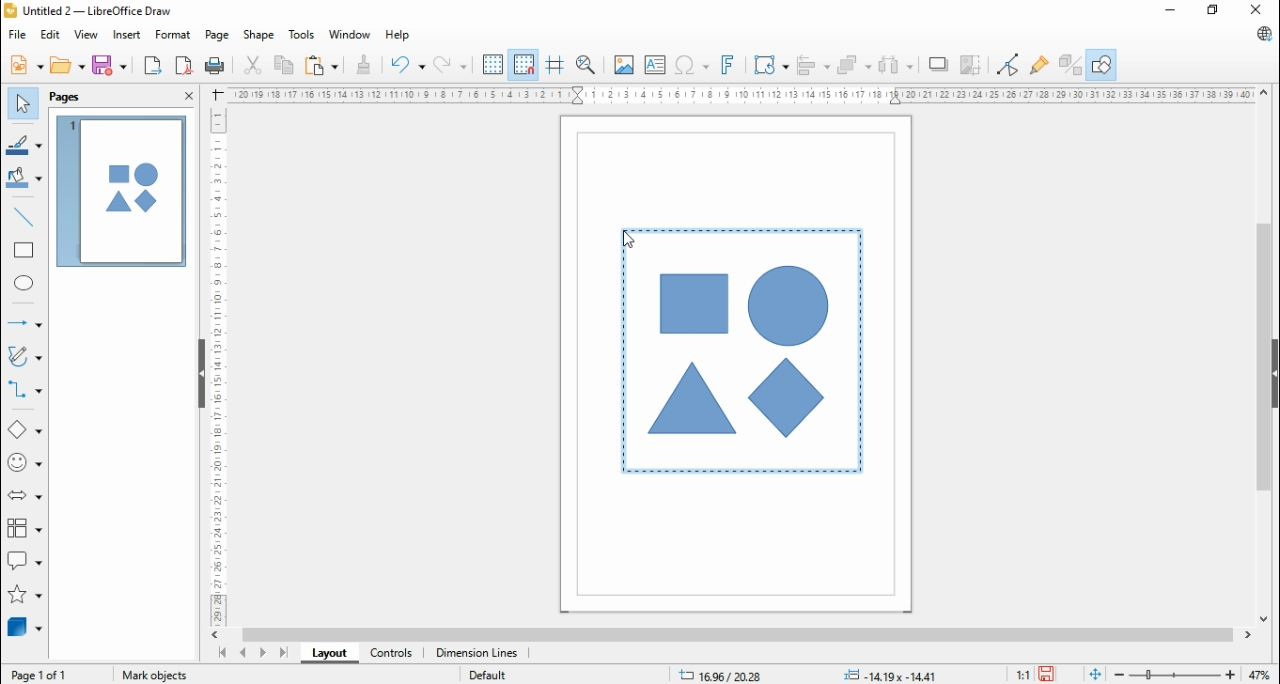 This screenshot has width=1280, height=684. Describe the element at coordinates (24, 528) in the screenshot. I see `flowchart` at that location.